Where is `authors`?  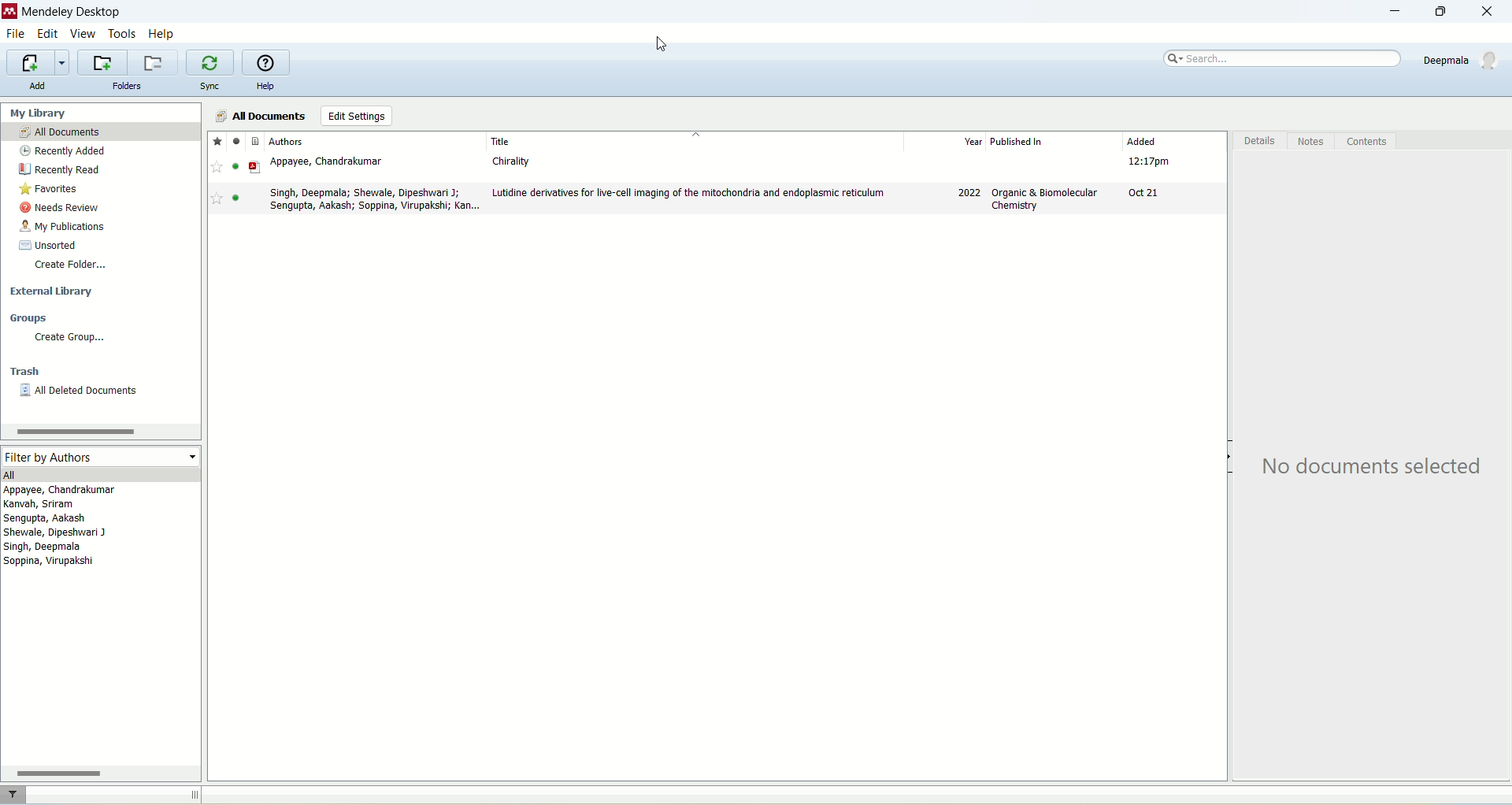 authors is located at coordinates (65, 529).